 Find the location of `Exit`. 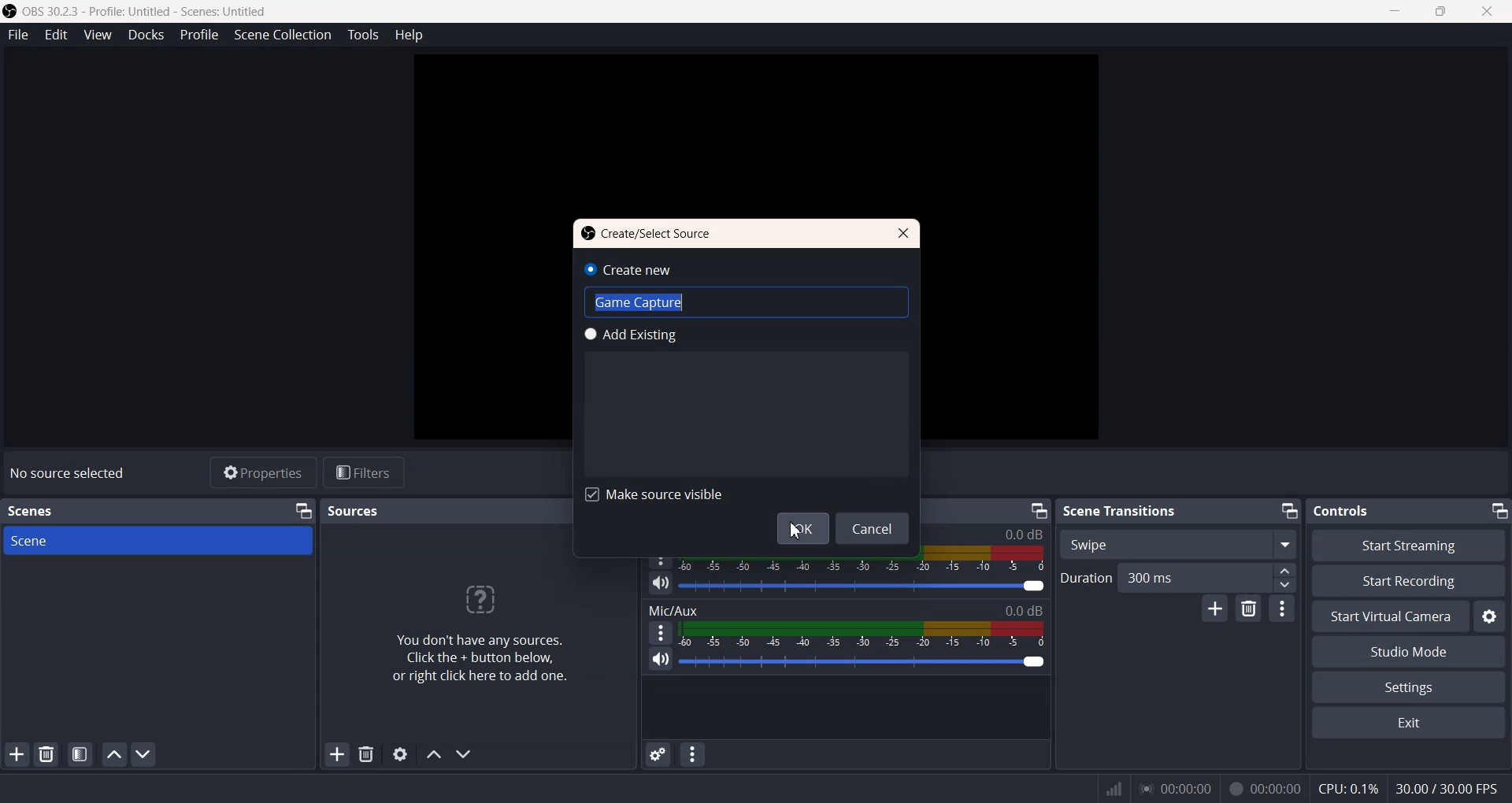

Exit is located at coordinates (1410, 724).